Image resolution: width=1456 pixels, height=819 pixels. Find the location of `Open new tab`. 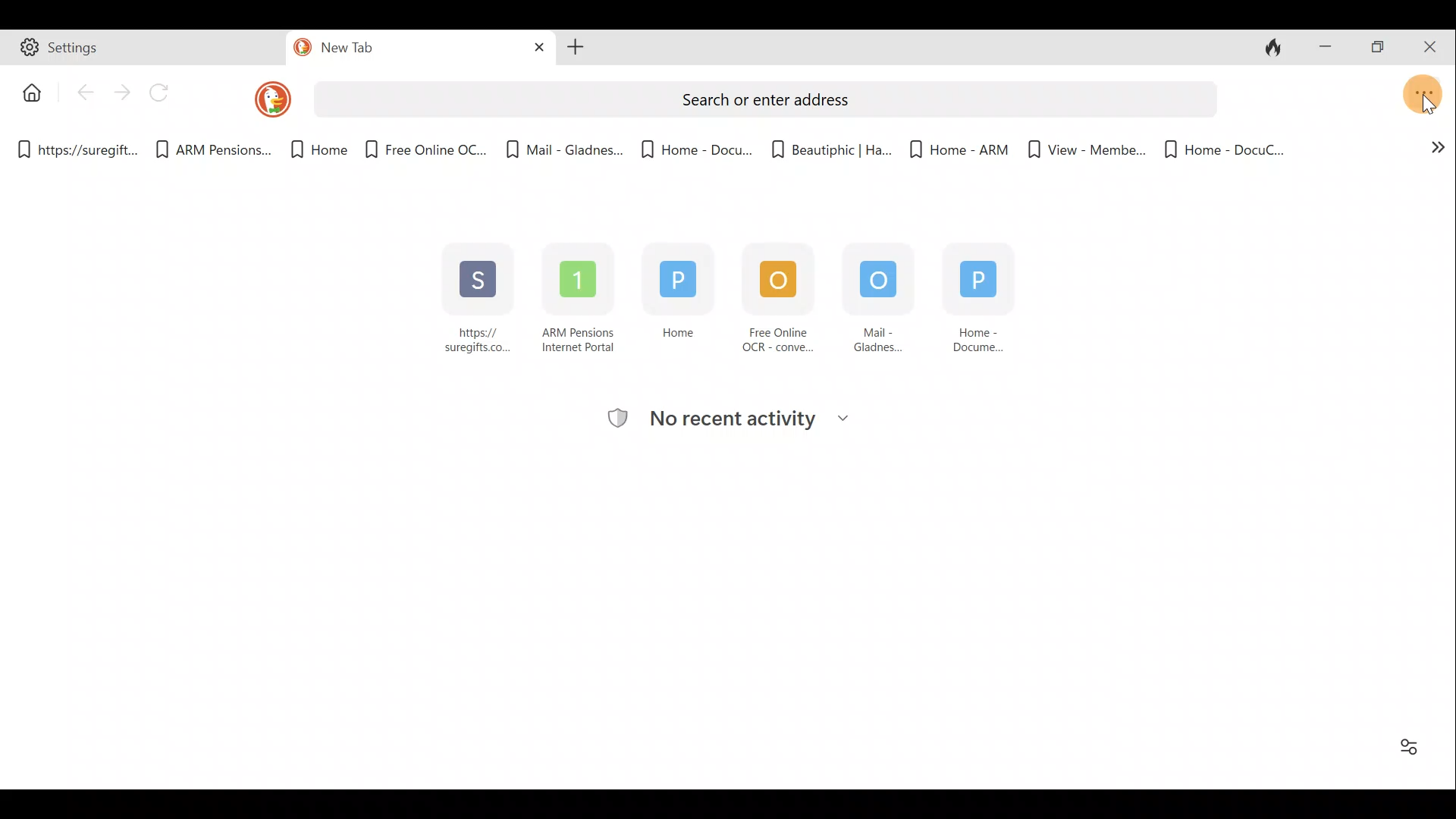

Open new tab is located at coordinates (579, 48).